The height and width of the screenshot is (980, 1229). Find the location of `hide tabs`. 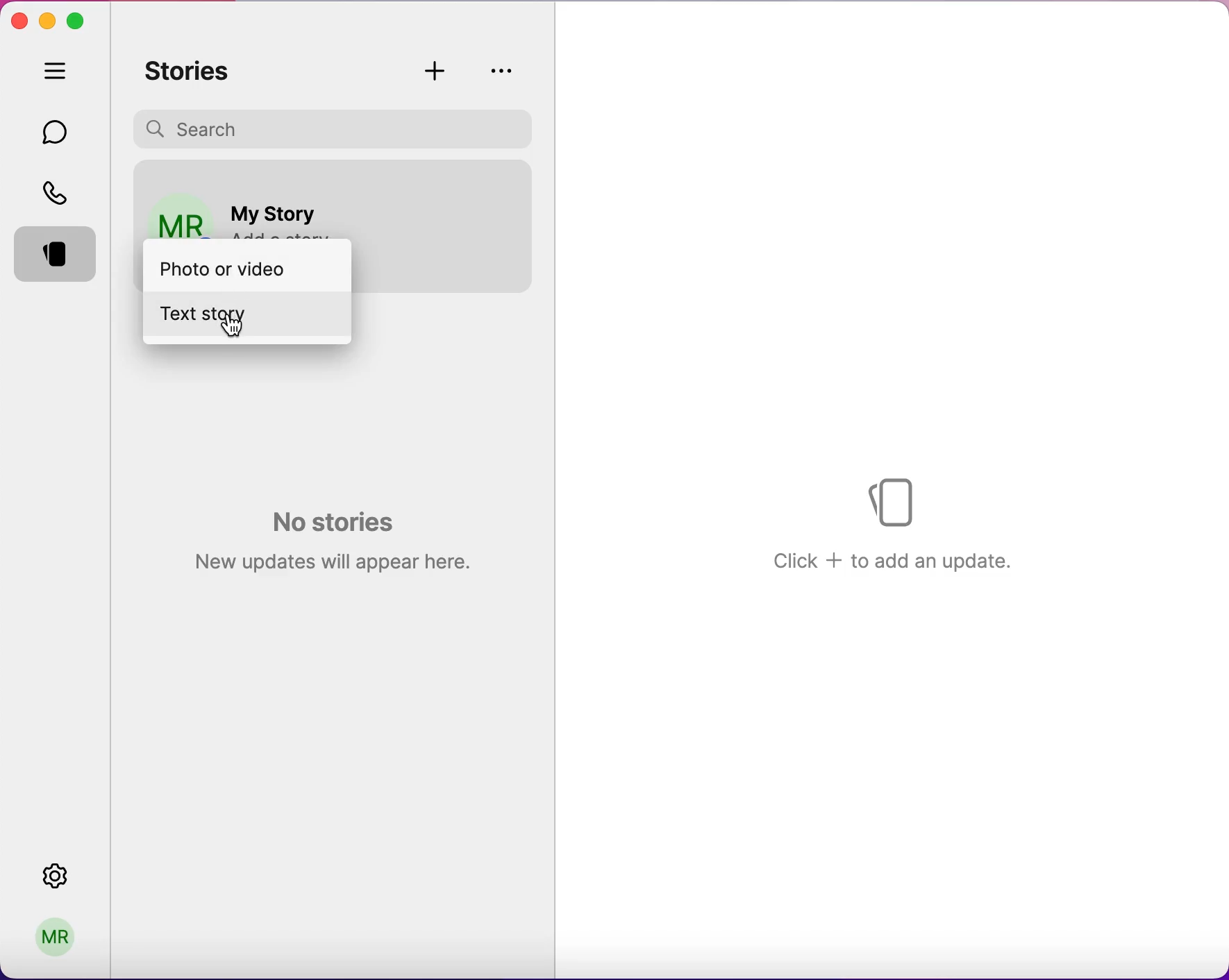

hide tabs is located at coordinates (58, 74).